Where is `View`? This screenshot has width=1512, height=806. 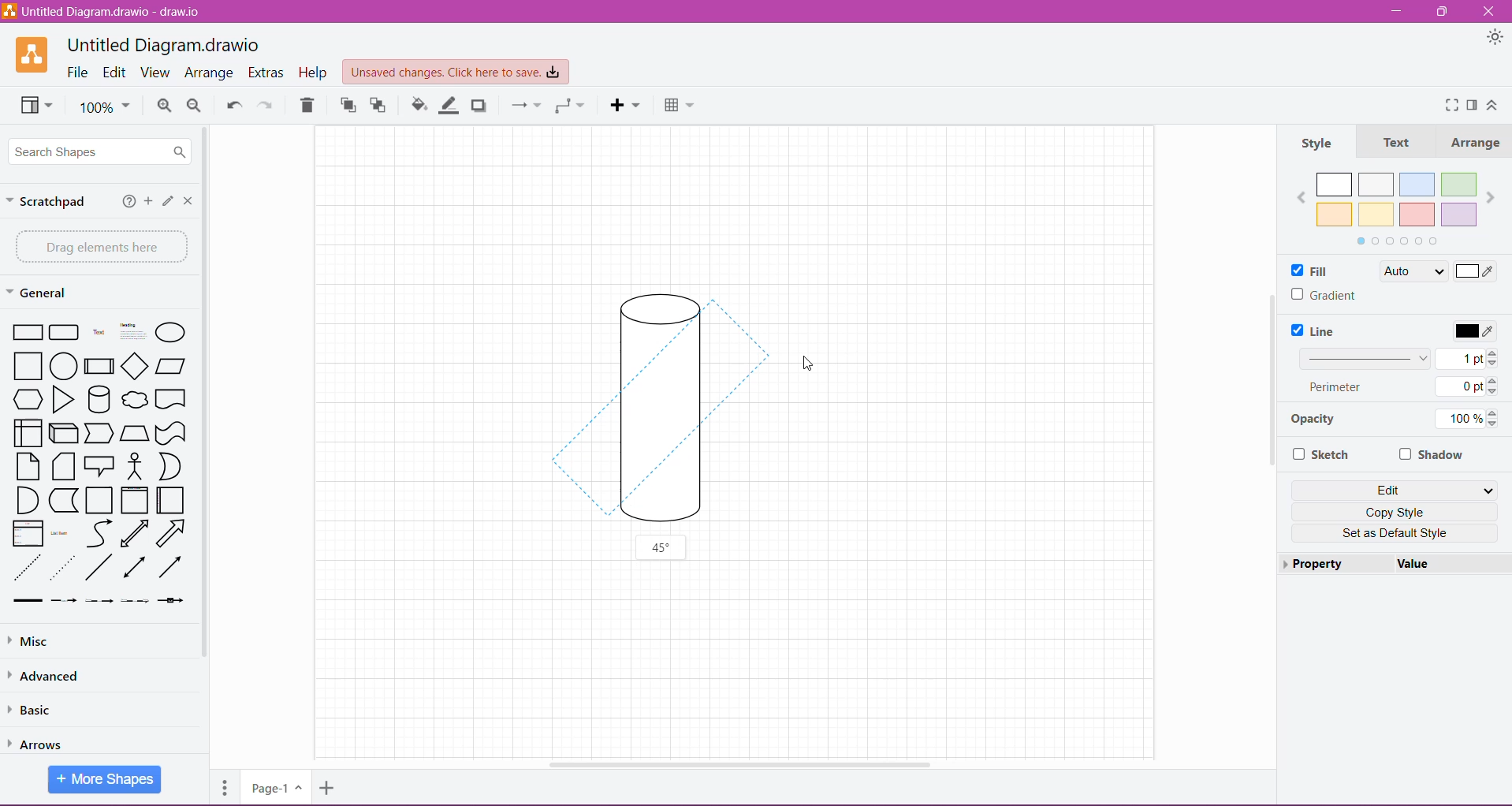 View is located at coordinates (157, 73).